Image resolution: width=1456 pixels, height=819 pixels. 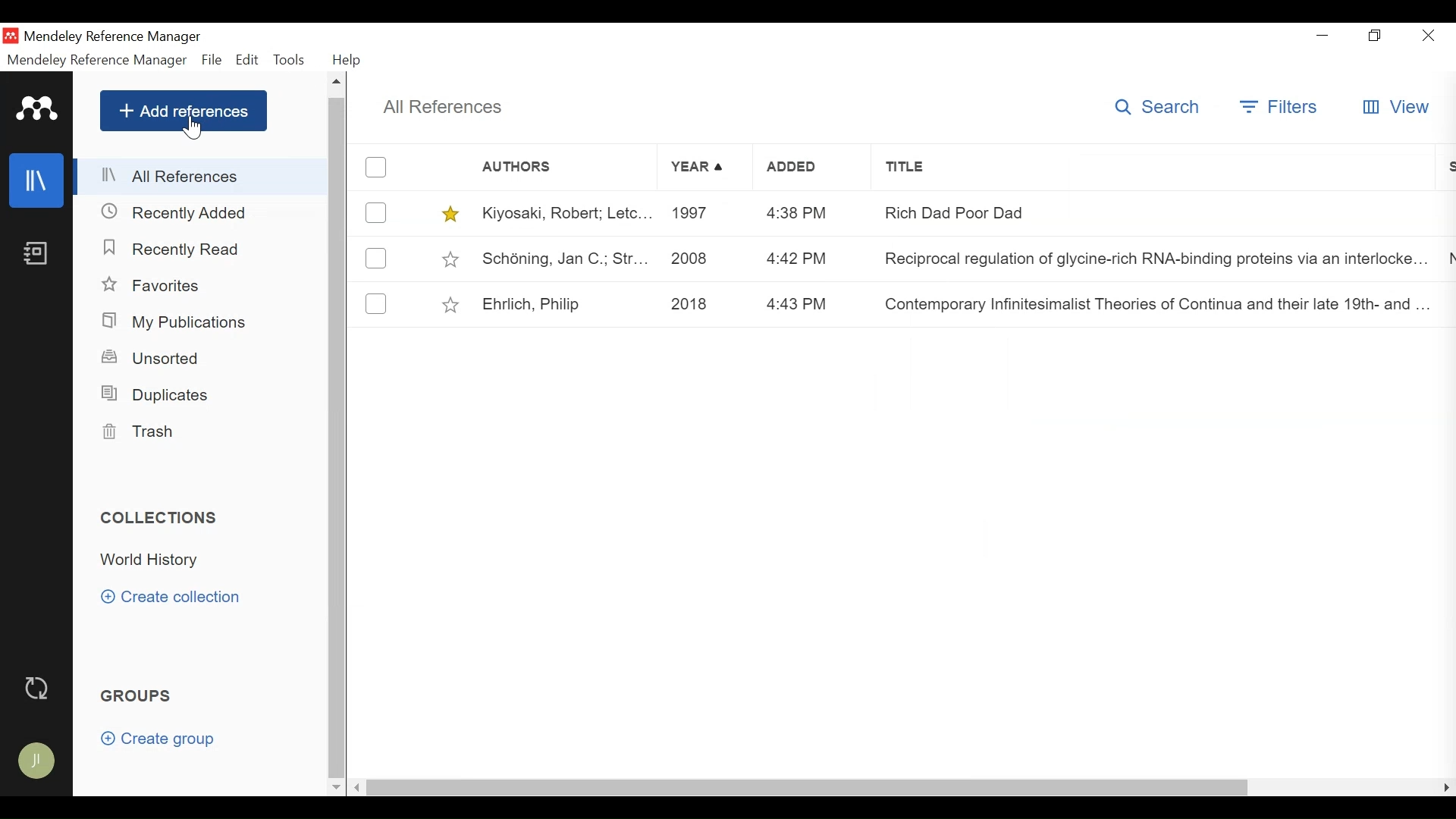 I want to click on Mendeley Reference Manager, so click(x=118, y=36).